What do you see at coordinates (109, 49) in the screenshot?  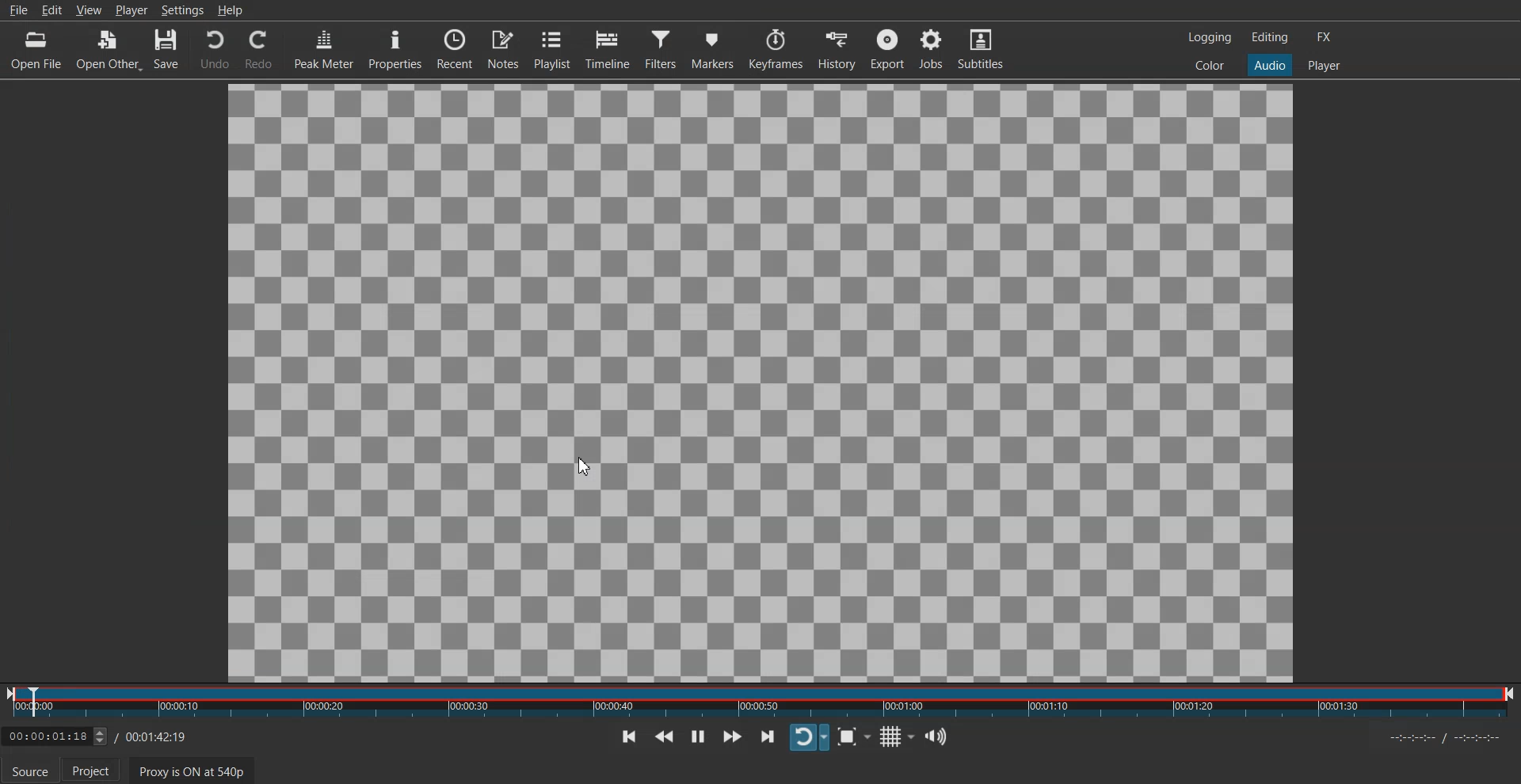 I see `Open Other` at bounding box center [109, 49].